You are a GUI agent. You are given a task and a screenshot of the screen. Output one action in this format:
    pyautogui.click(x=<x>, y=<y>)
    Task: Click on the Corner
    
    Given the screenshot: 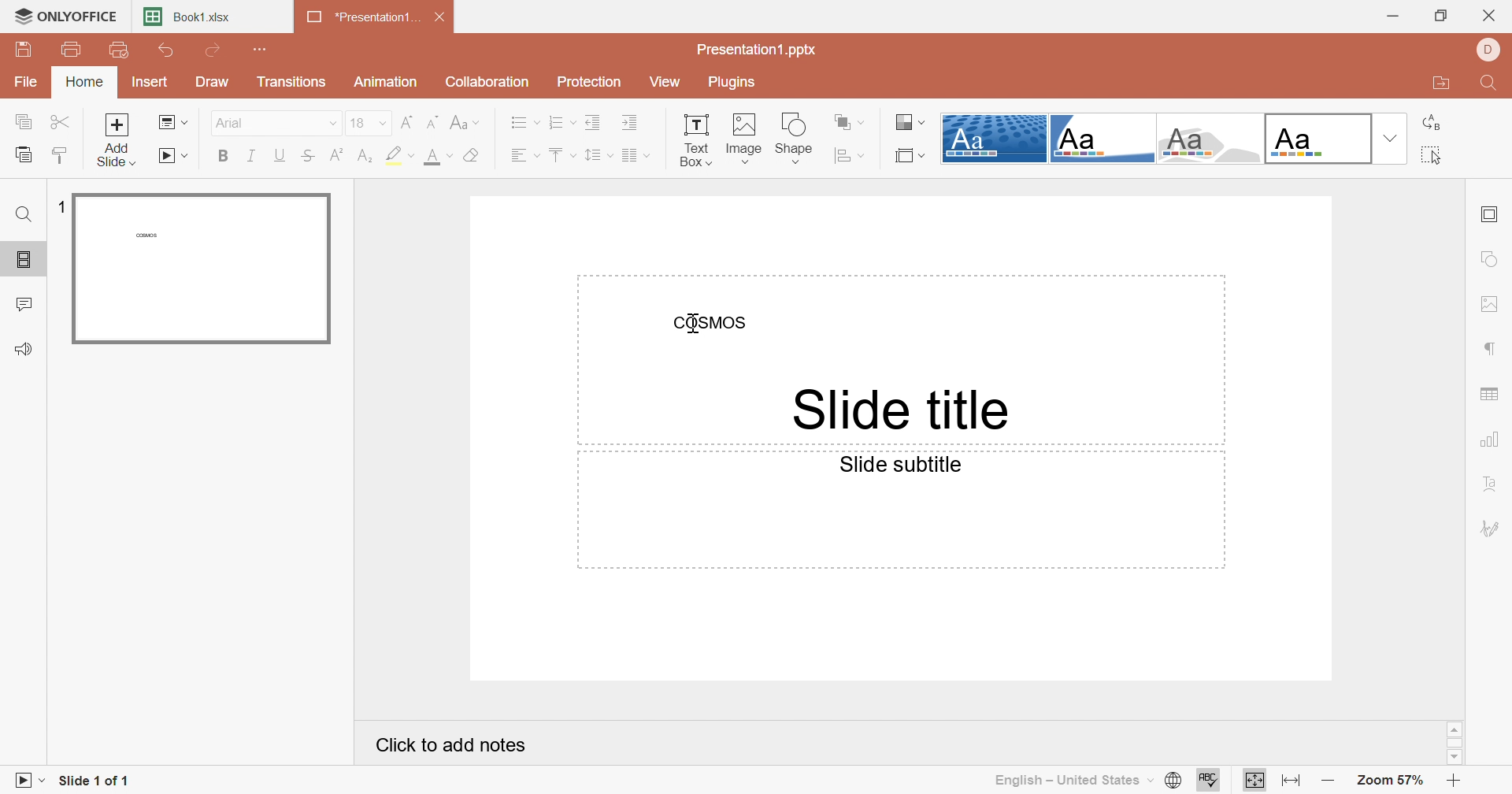 What is the action you would take?
    pyautogui.click(x=1103, y=139)
    